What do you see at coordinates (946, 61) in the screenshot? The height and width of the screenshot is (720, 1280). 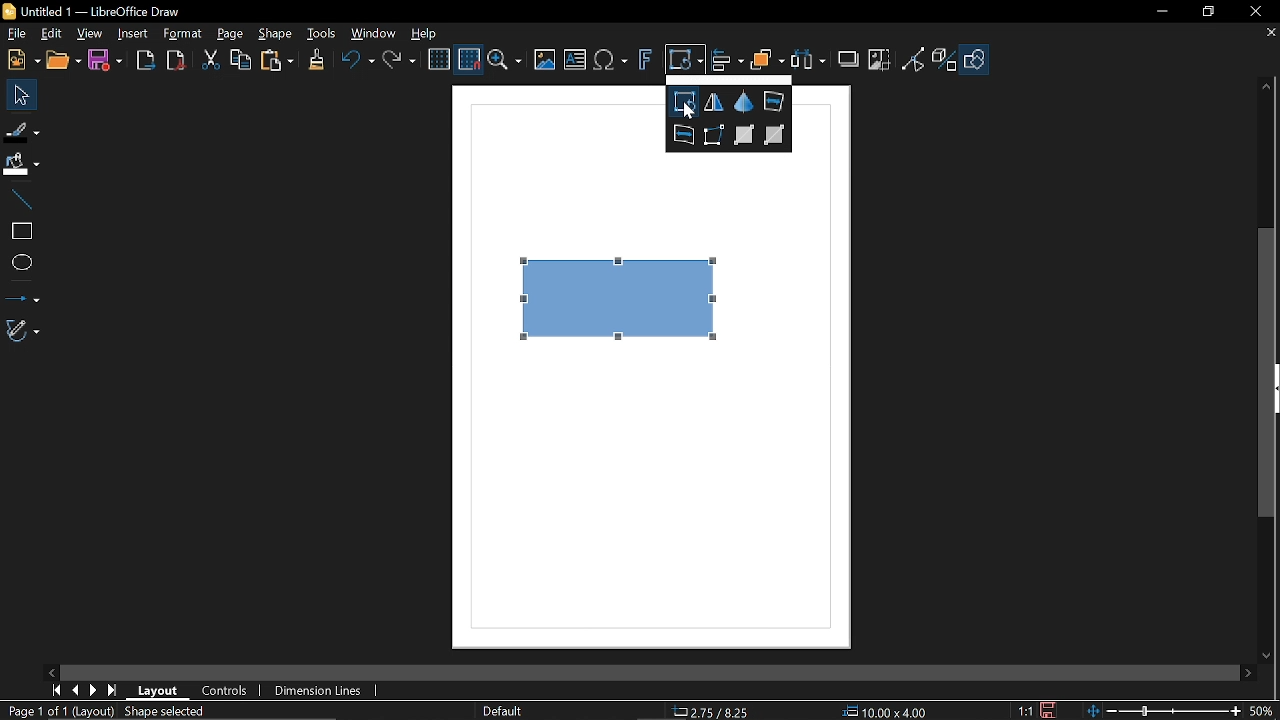 I see `Toggle extrusion` at bounding box center [946, 61].